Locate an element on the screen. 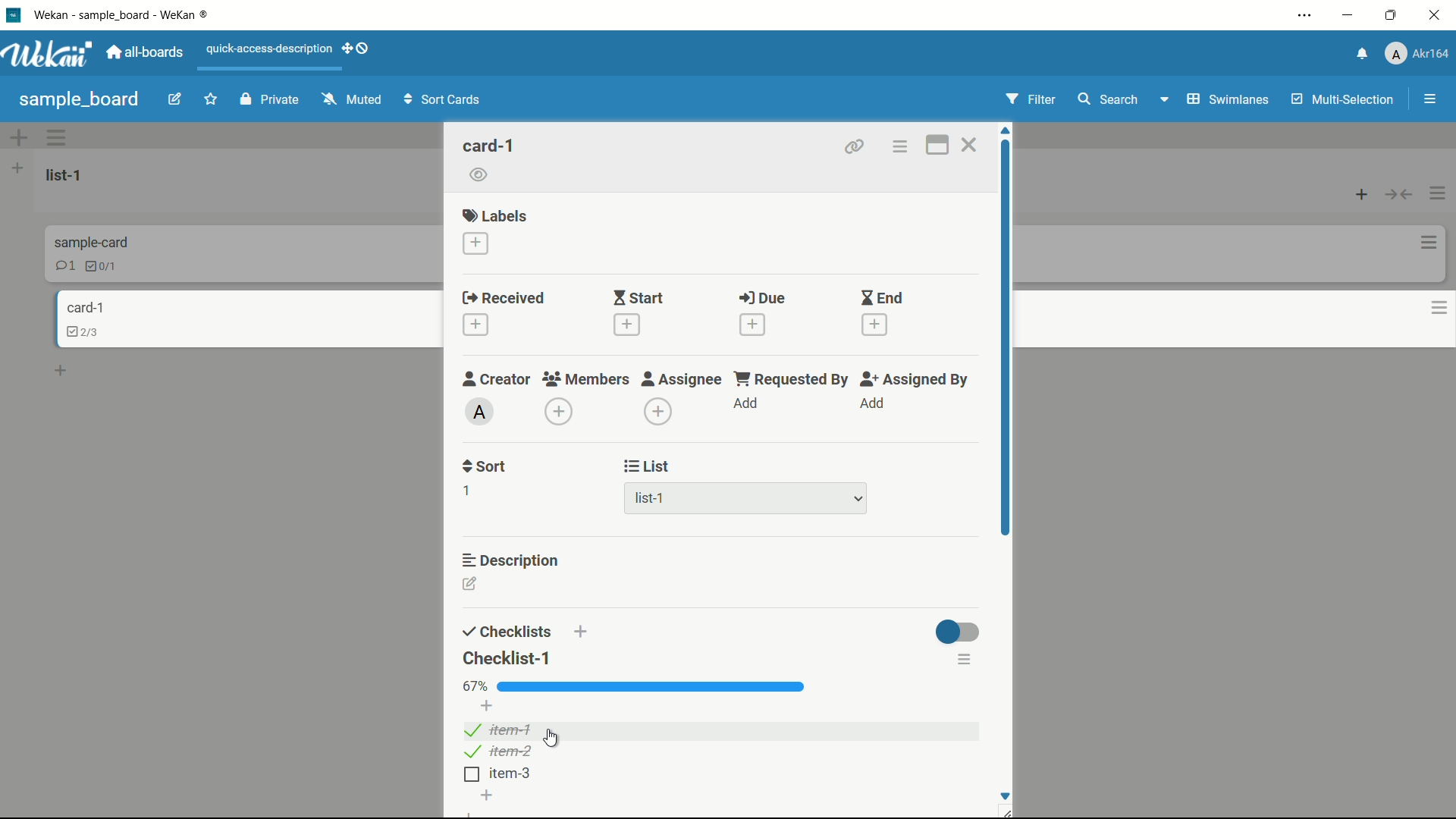  filter is located at coordinates (1026, 99).